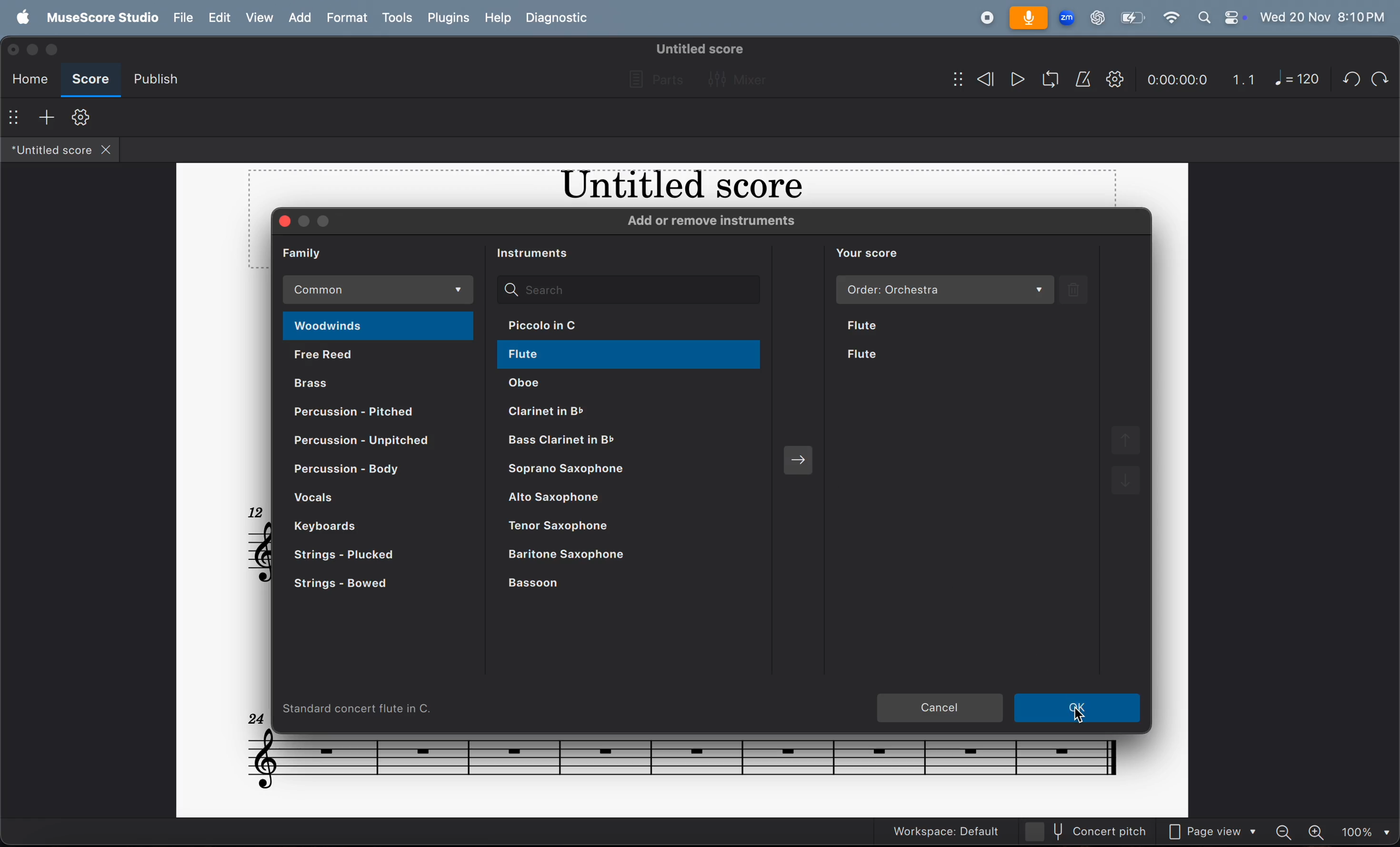  What do you see at coordinates (1295, 78) in the screenshot?
I see `note 120` at bounding box center [1295, 78].